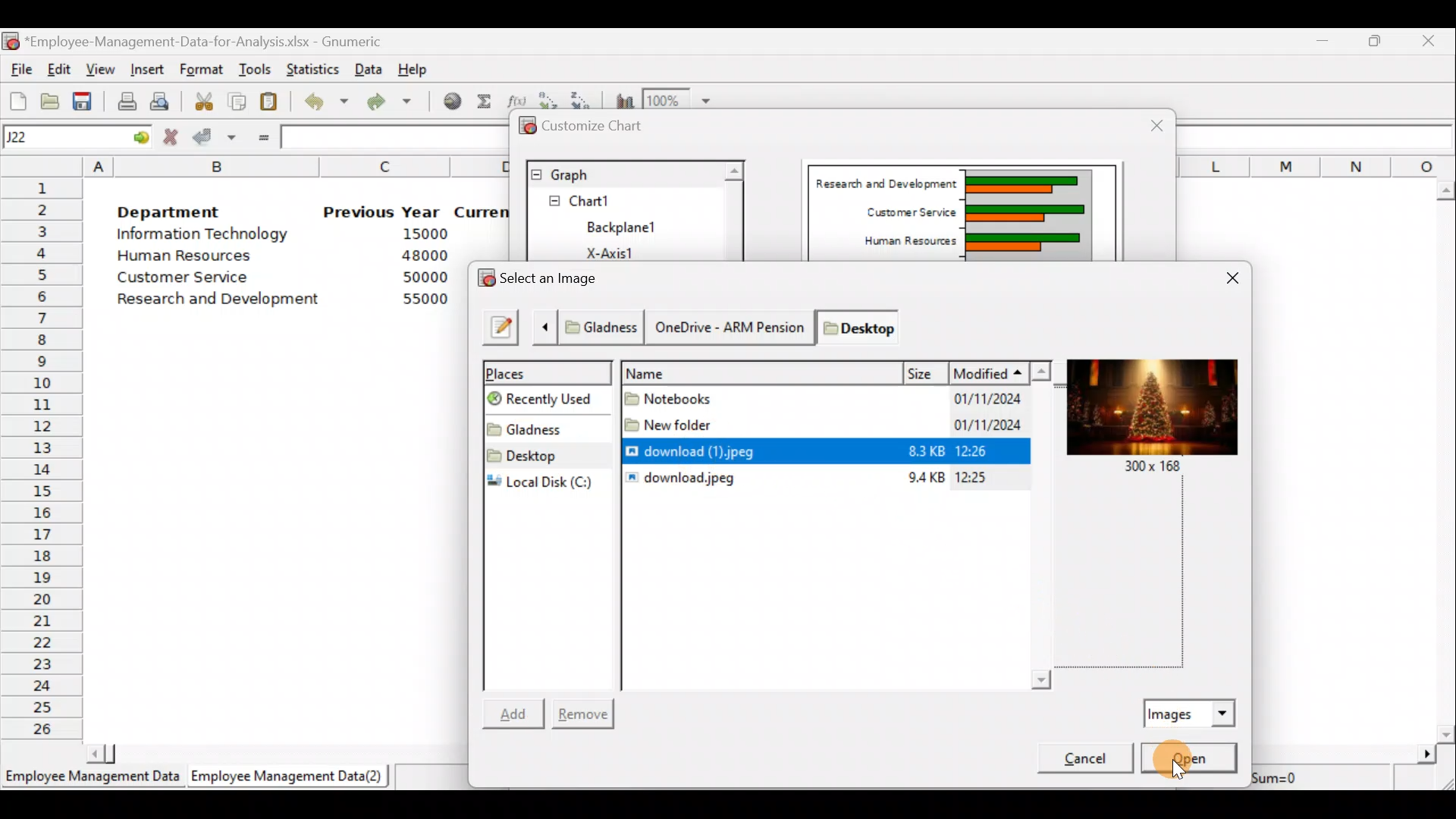 Image resolution: width=1456 pixels, height=819 pixels. I want to click on 01/11/2024, so click(966, 426).